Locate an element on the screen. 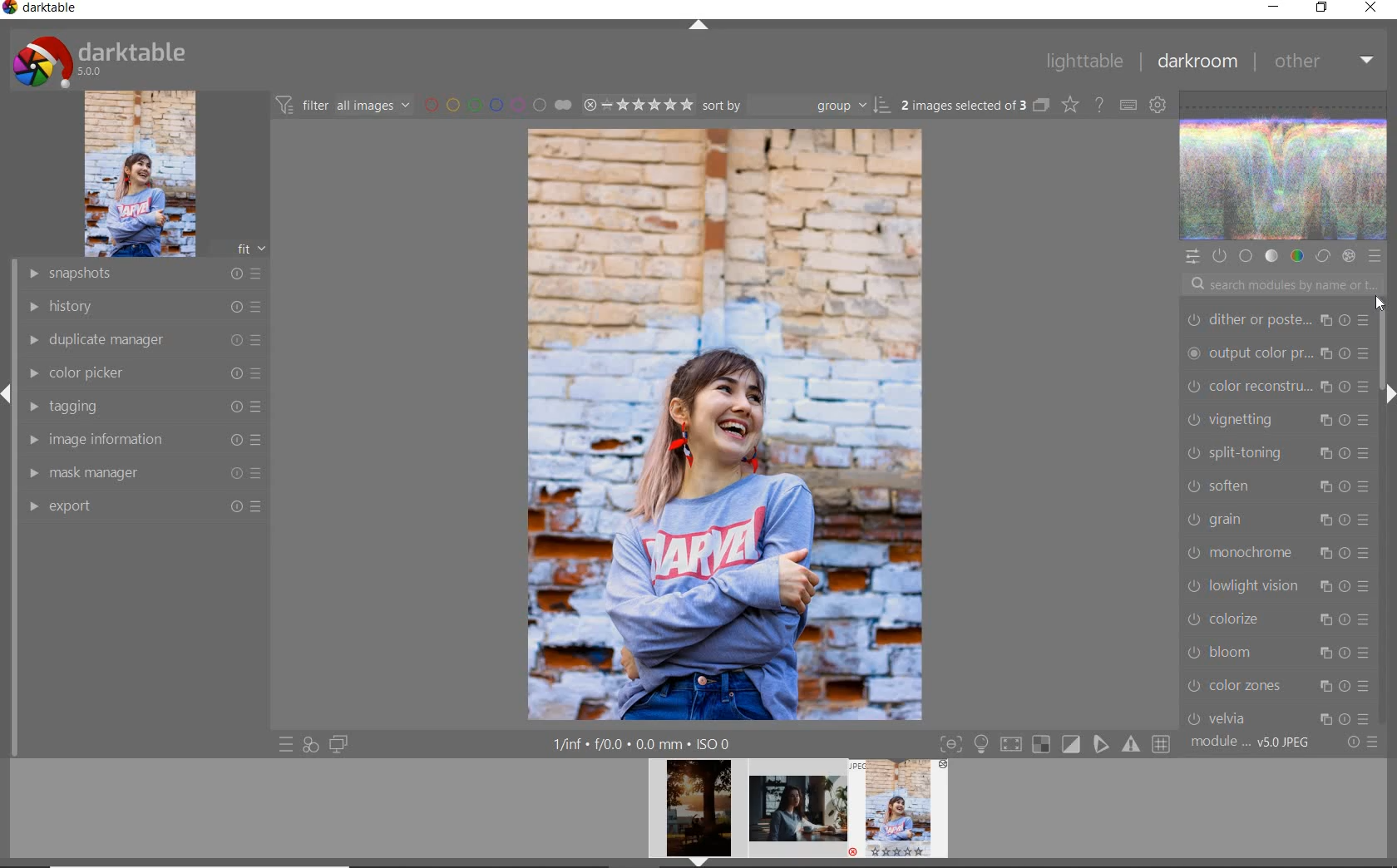 The image size is (1397, 868). MINIMIZE is located at coordinates (1273, 7).